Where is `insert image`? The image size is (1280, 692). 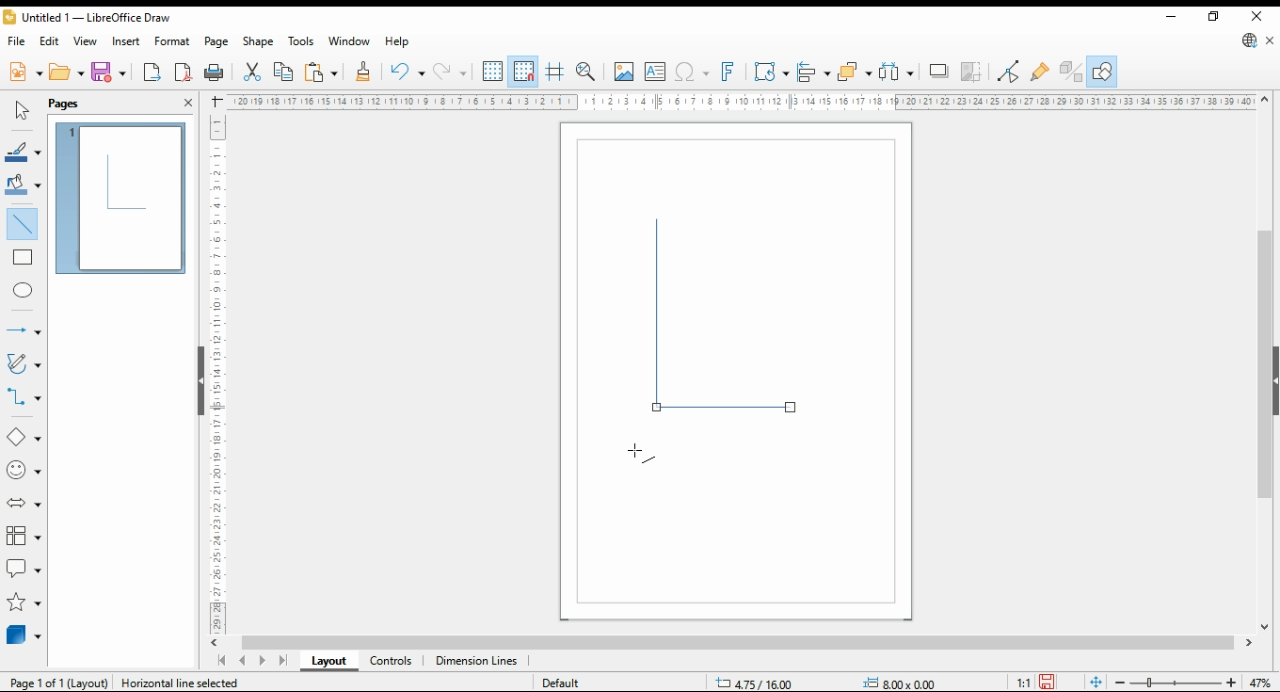
insert image is located at coordinates (623, 71).